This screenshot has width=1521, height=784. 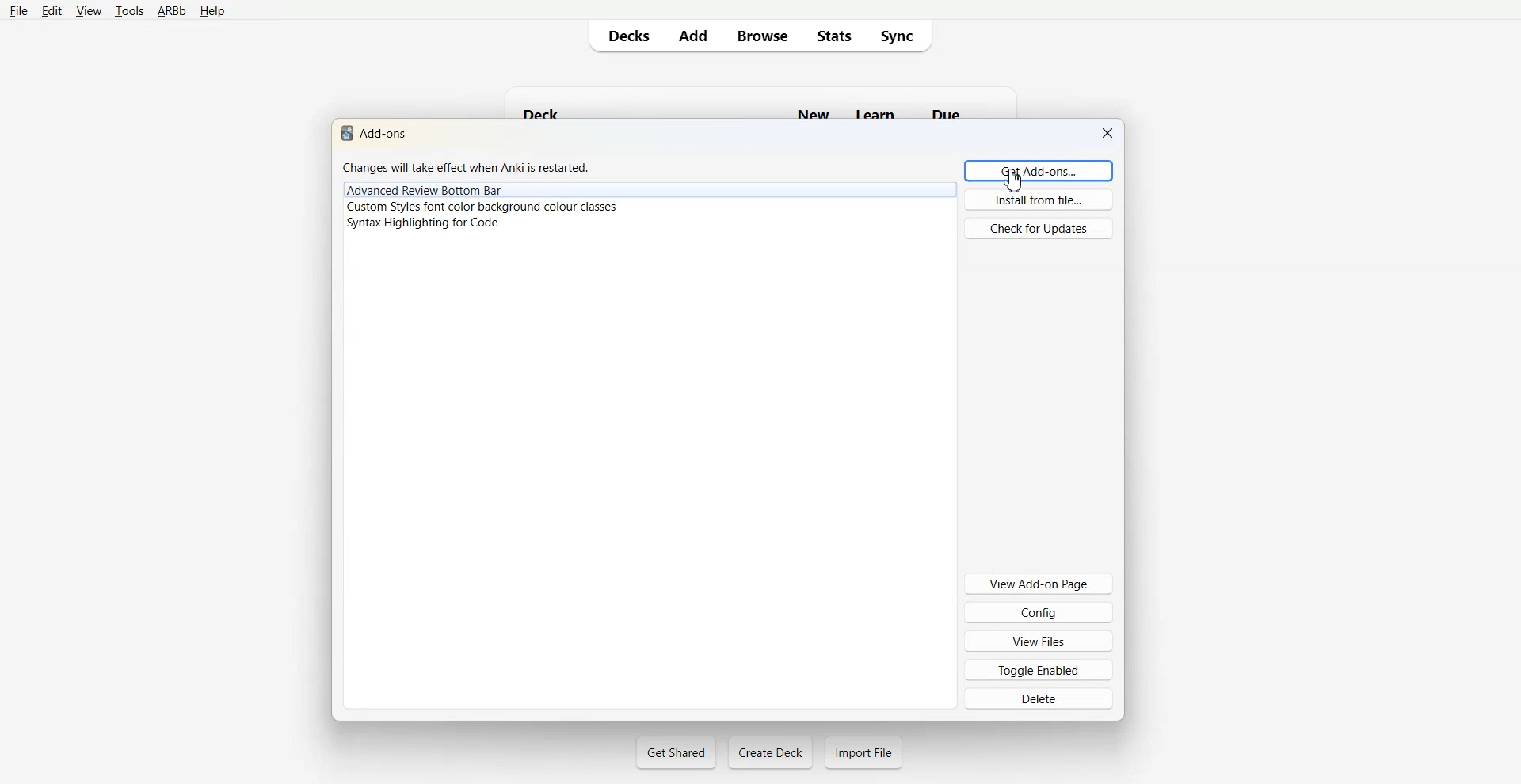 I want to click on Deck New Learn Due, so click(x=754, y=114).